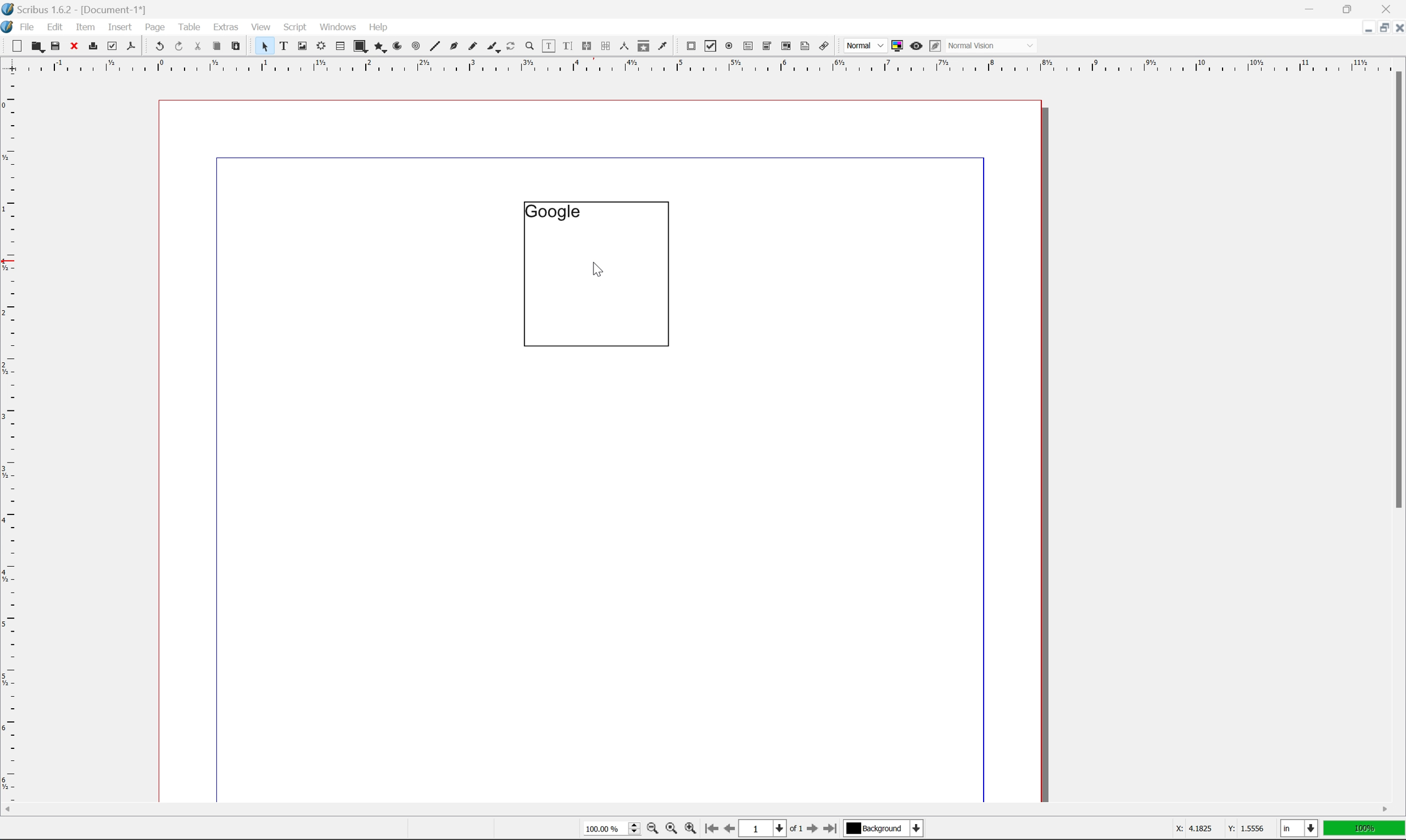  I want to click on select current page, so click(770, 830).